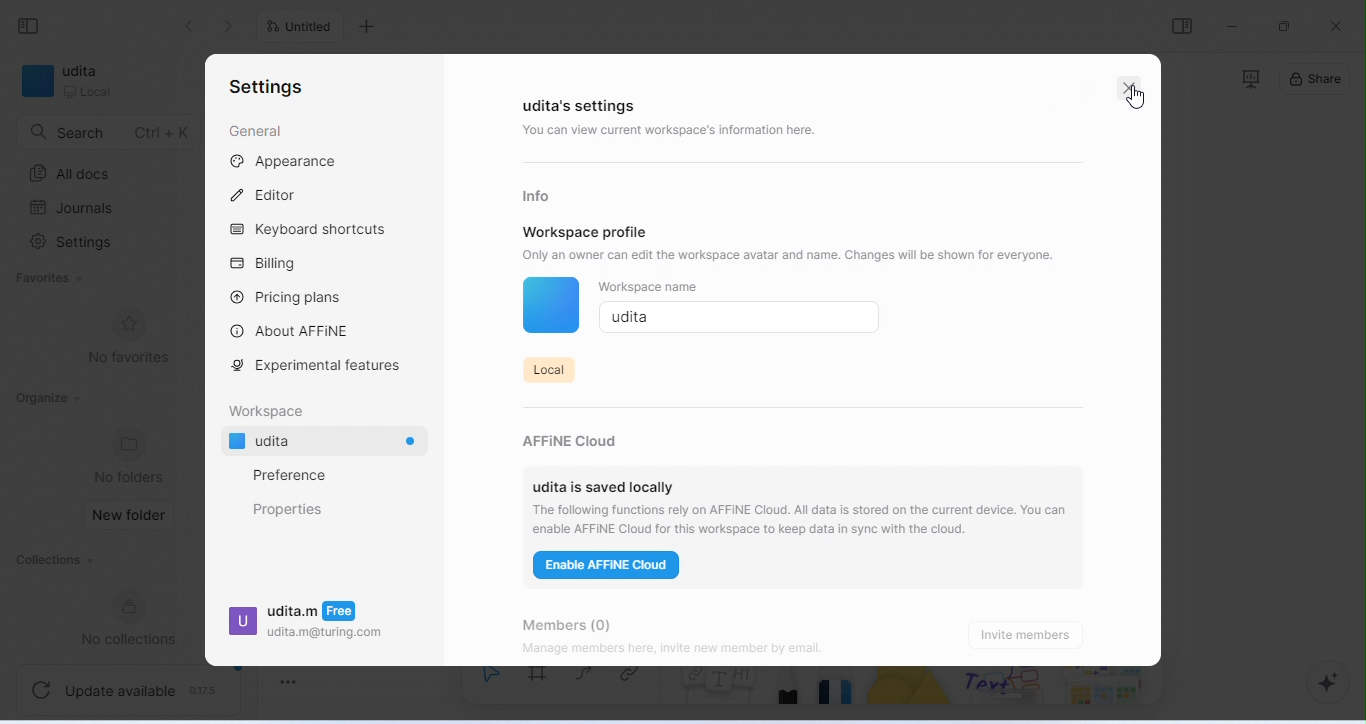 The image size is (1366, 724). I want to click on go previous, so click(232, 26).